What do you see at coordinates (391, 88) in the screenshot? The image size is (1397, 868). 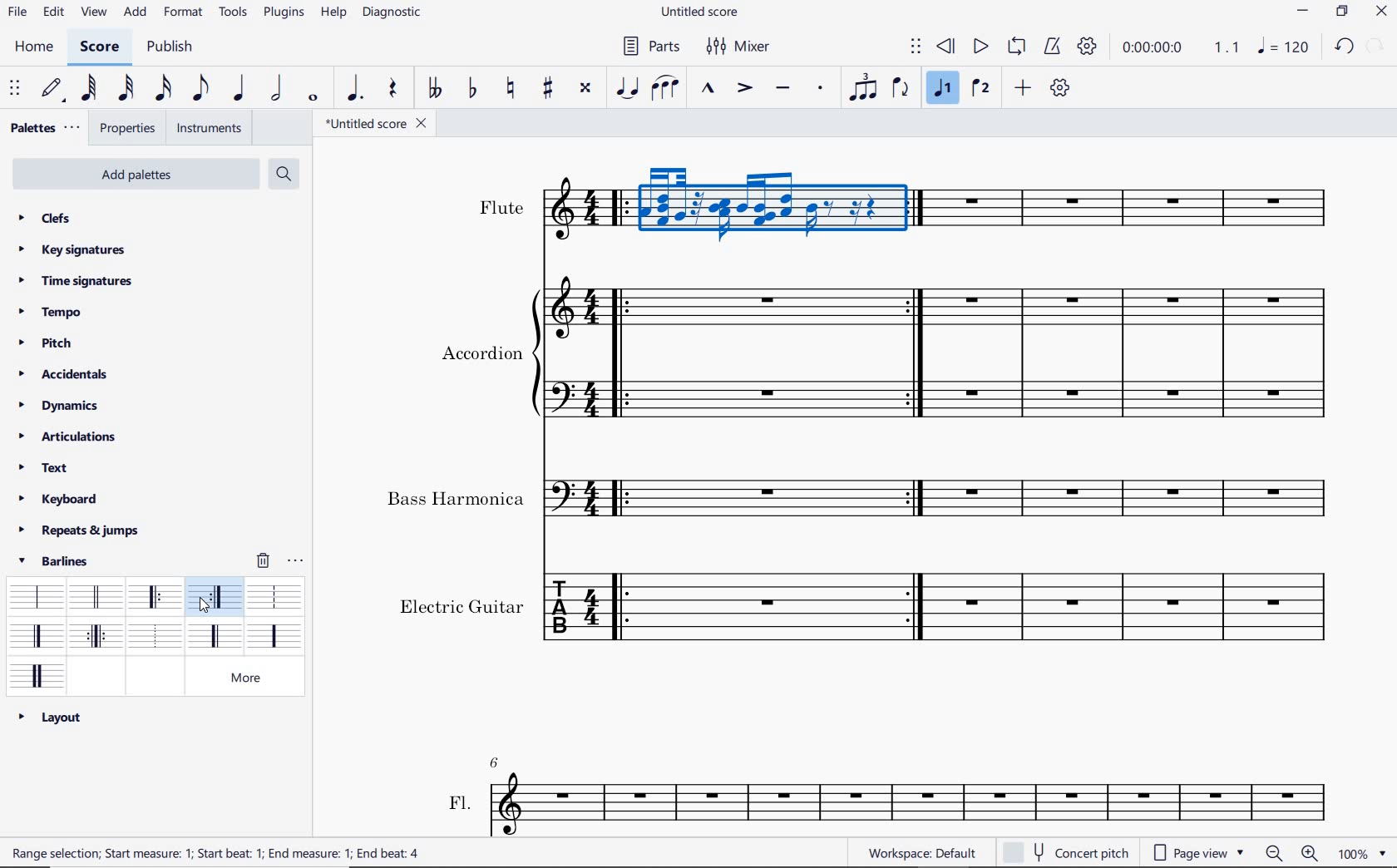 I see `rest` at bounding box center [391, 88].